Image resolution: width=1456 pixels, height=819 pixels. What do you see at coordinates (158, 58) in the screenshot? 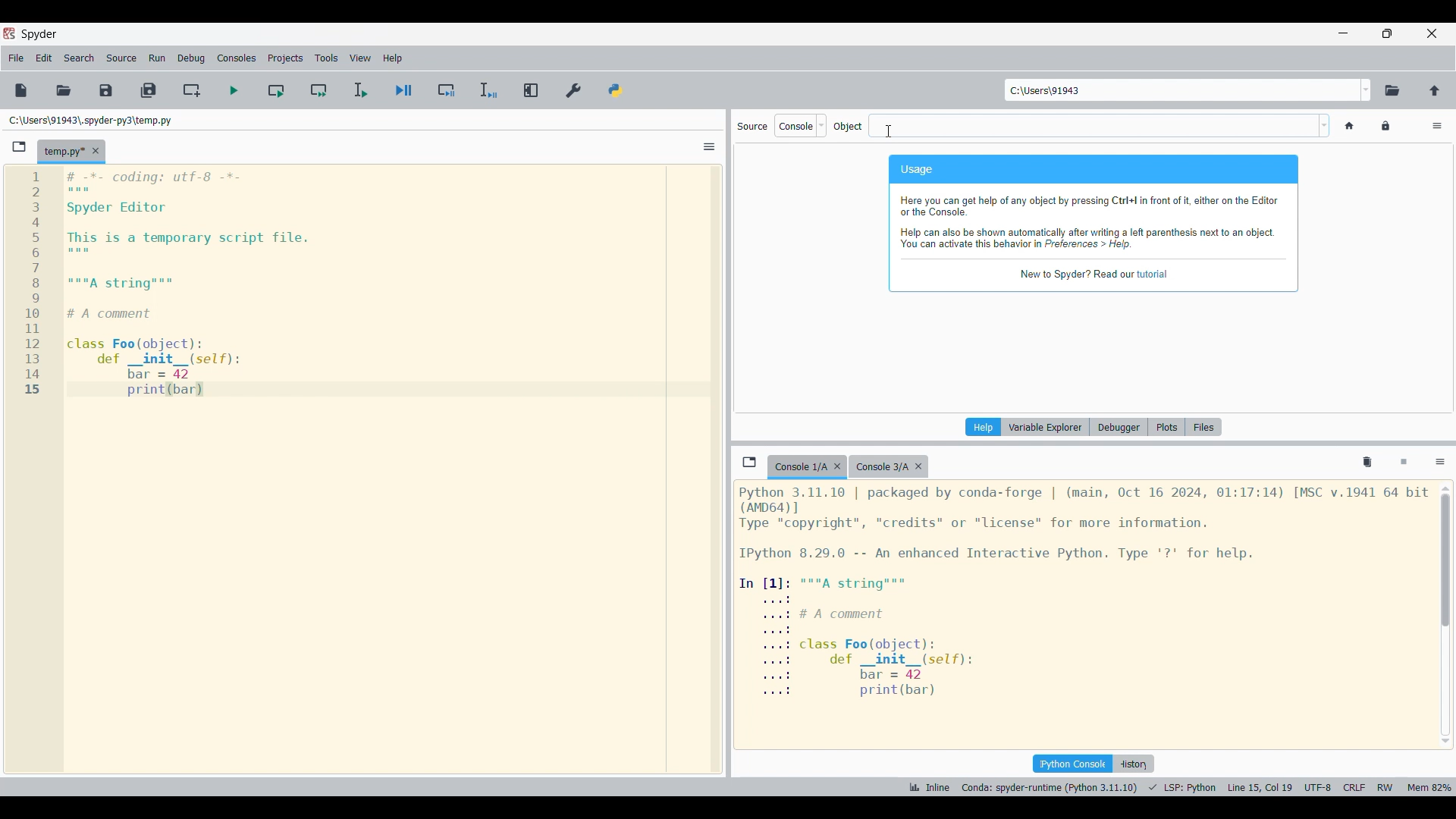
I see `Run menu` at bounding box center [158, 58].